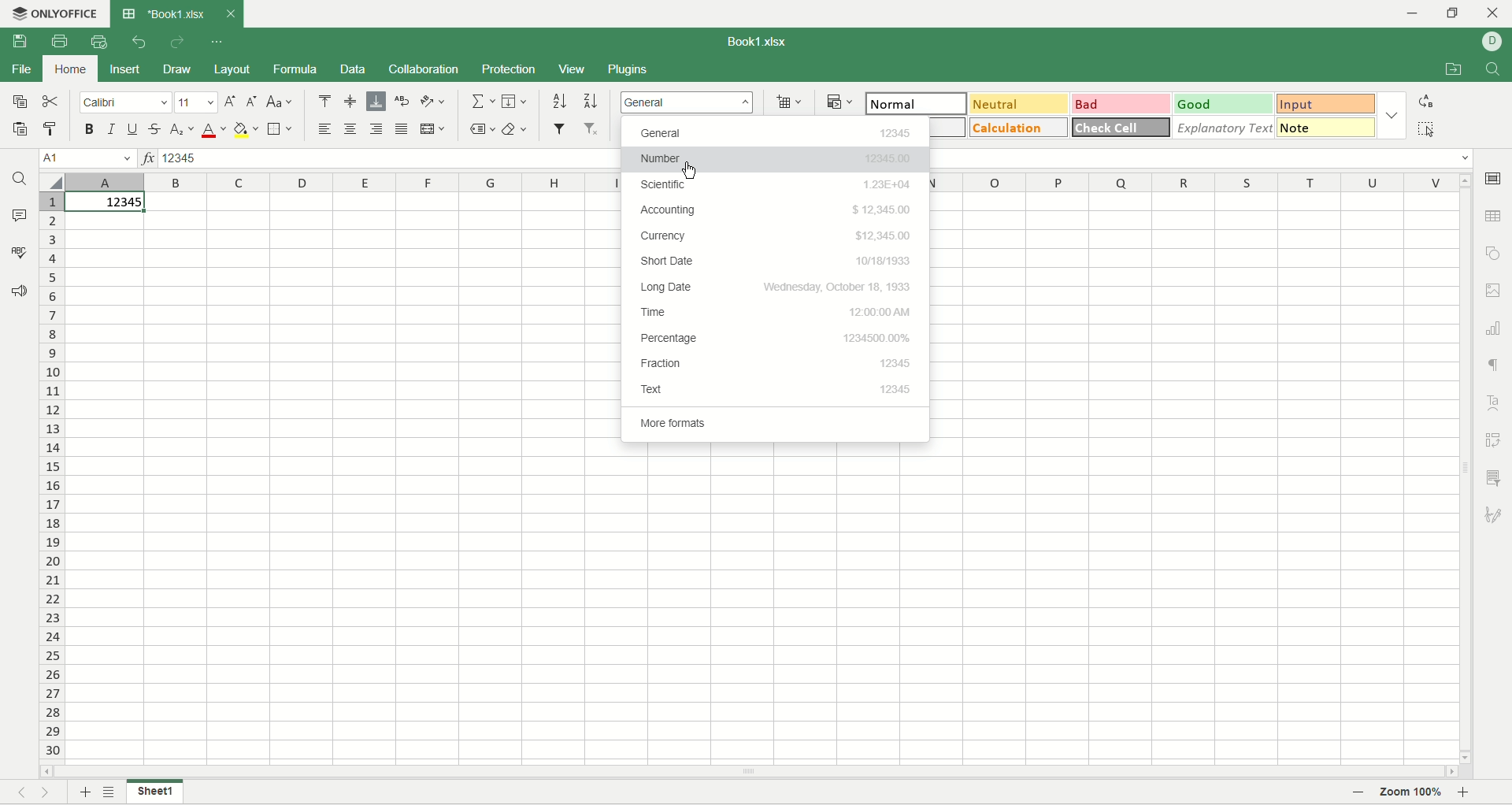 This screenshot has height=805, width=1512. Describe the element at coordinates (1492, 43) in the screenshot. I see `username` at that location.